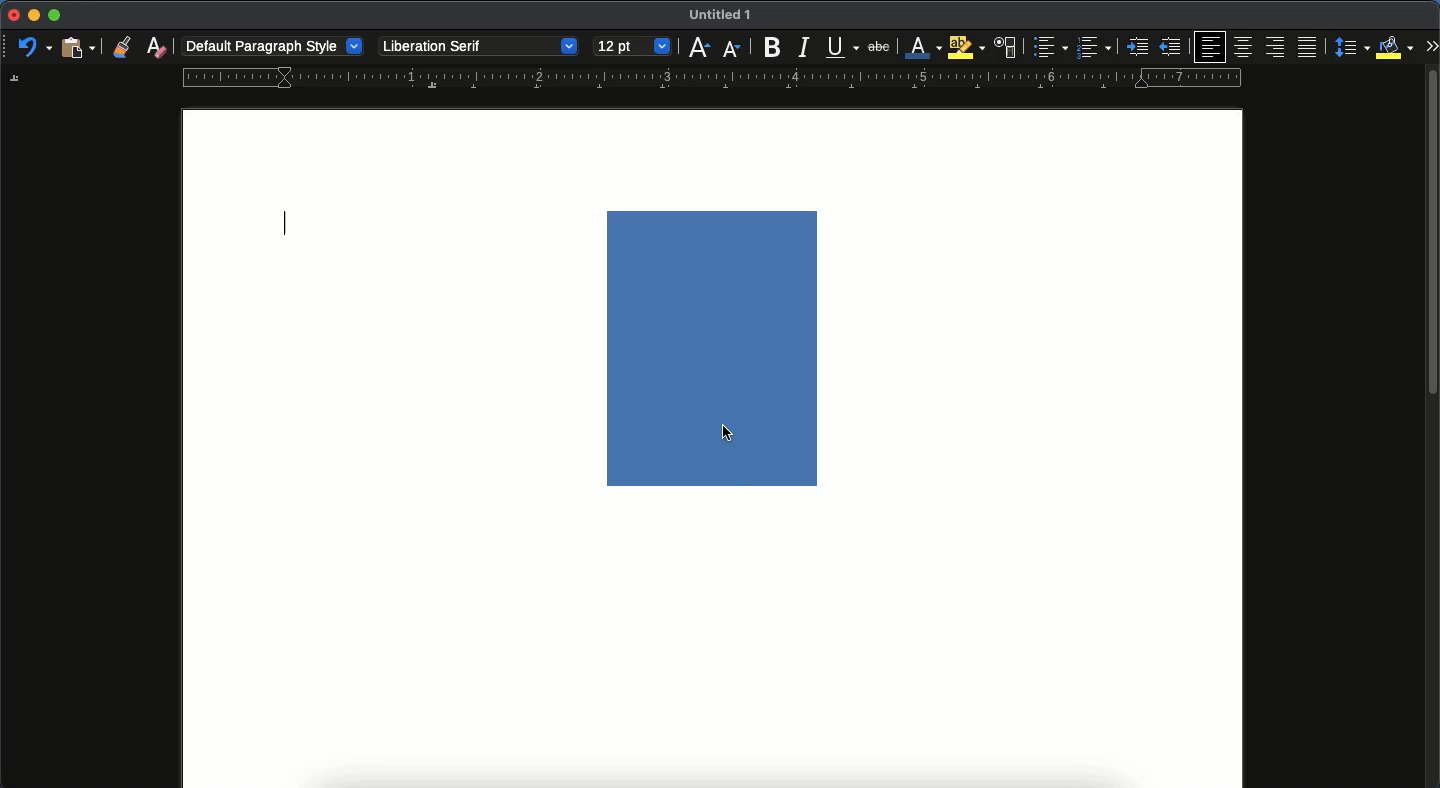  I want to click on center align, so click(1245, 47).